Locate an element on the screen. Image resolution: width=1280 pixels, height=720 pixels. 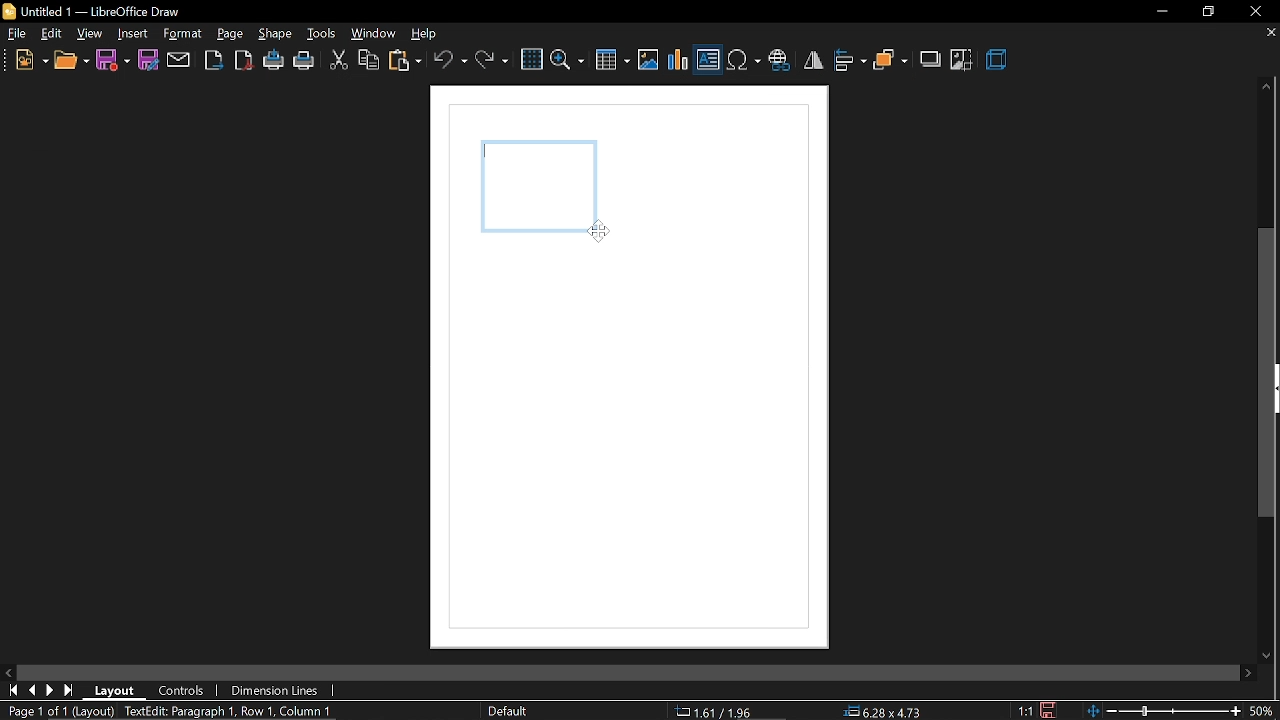
create text frame is located at coordinates (227, 712).